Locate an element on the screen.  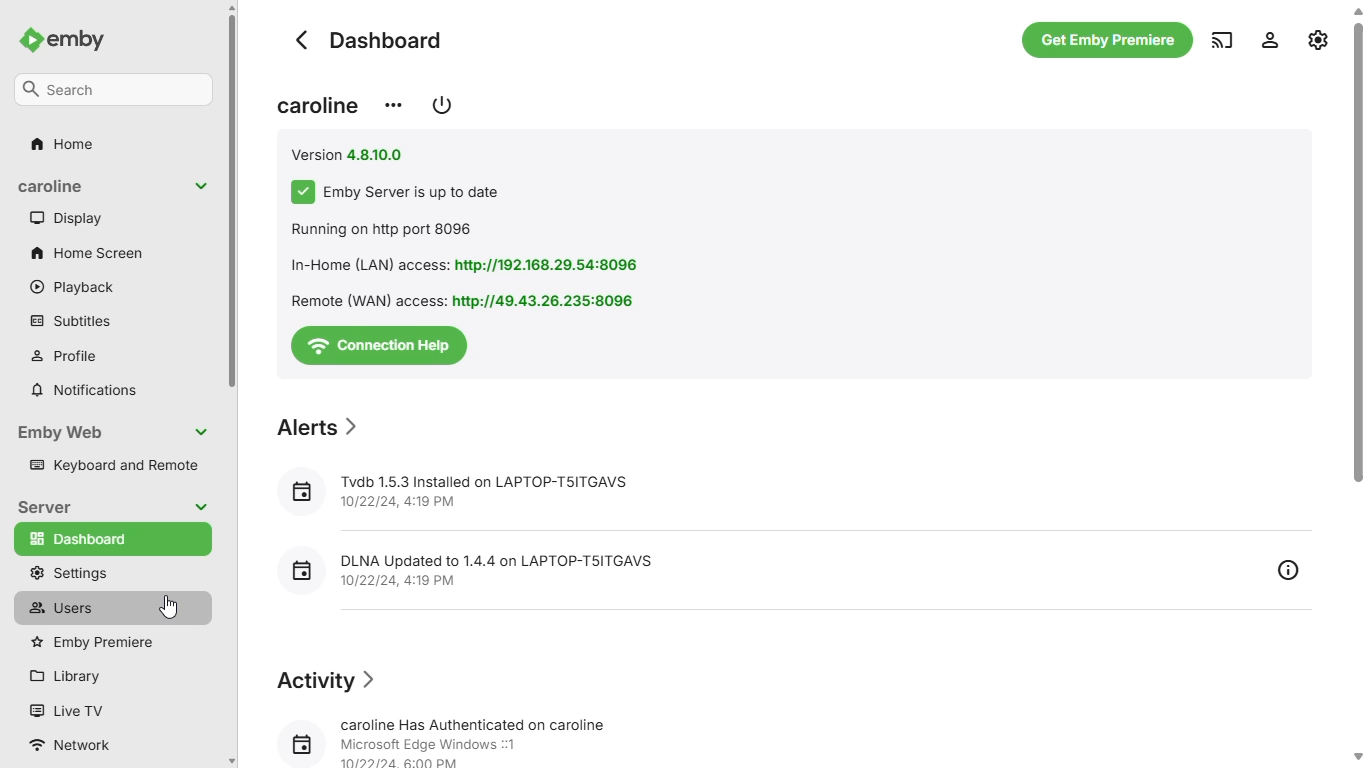
Calendar icon is located at coordinates (302, 571).